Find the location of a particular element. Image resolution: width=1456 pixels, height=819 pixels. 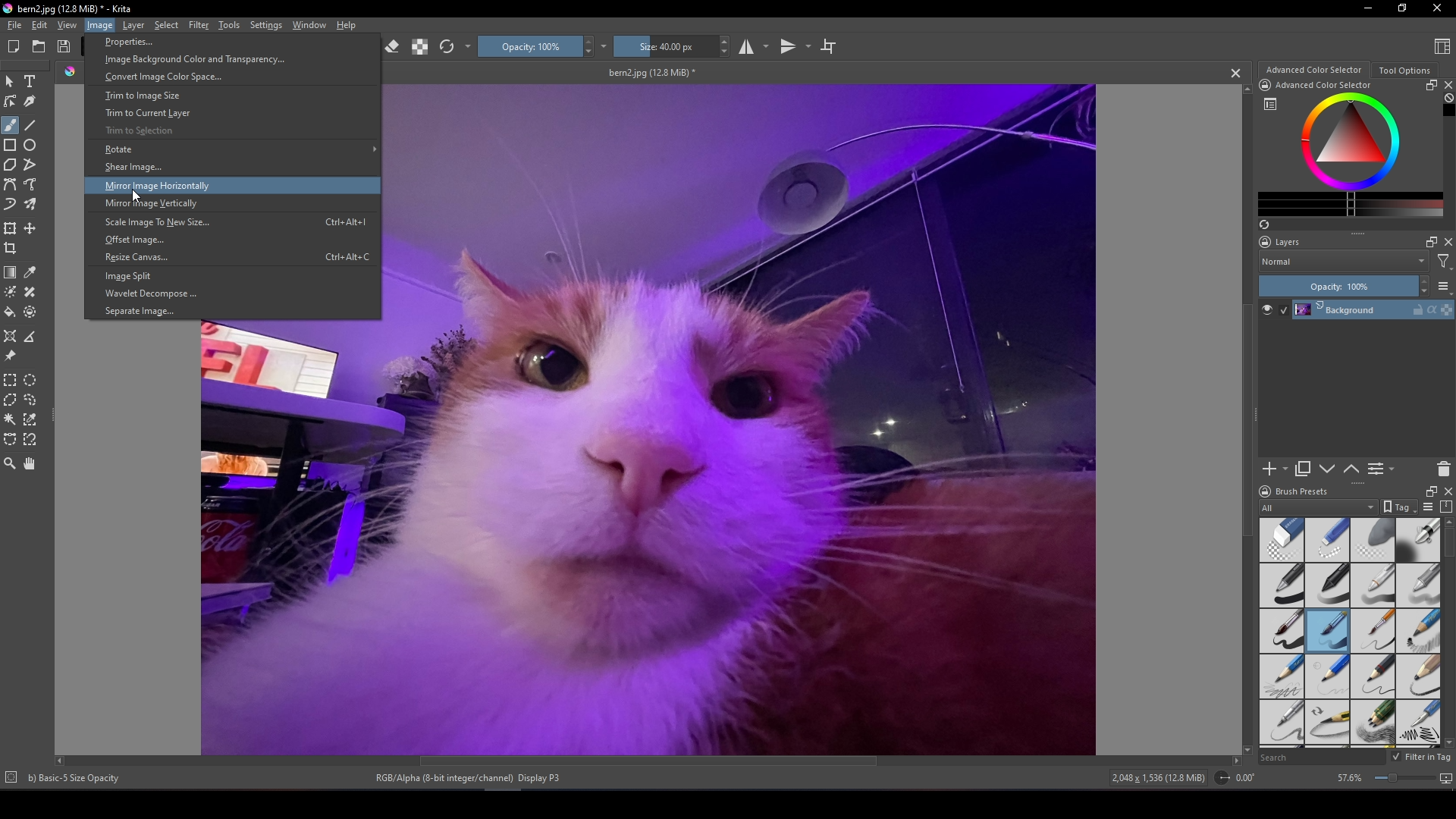

Vertical mirror tool is located at coordinates (797, 47).